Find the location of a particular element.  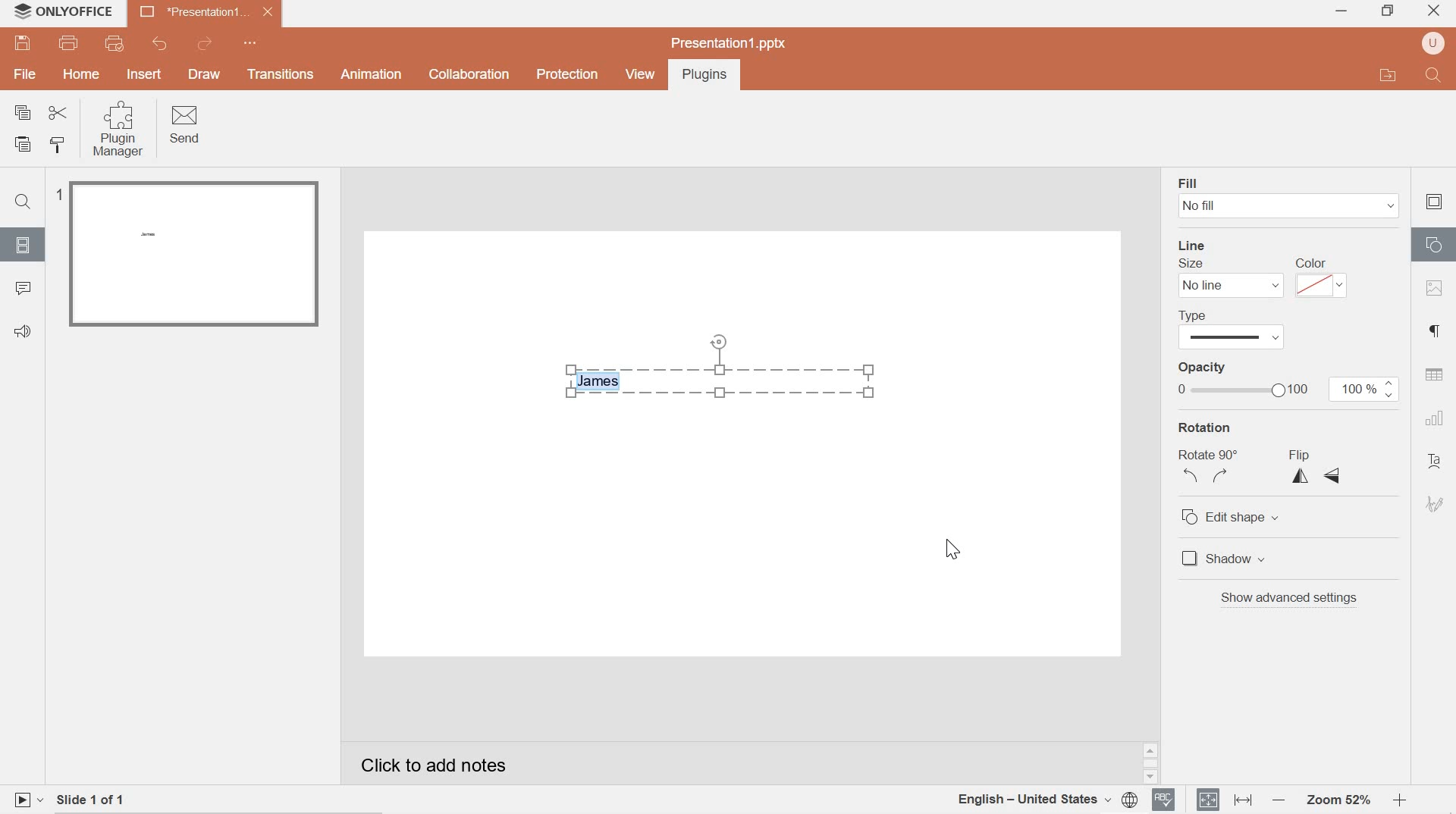

paste is located at coordinates (26, 145).